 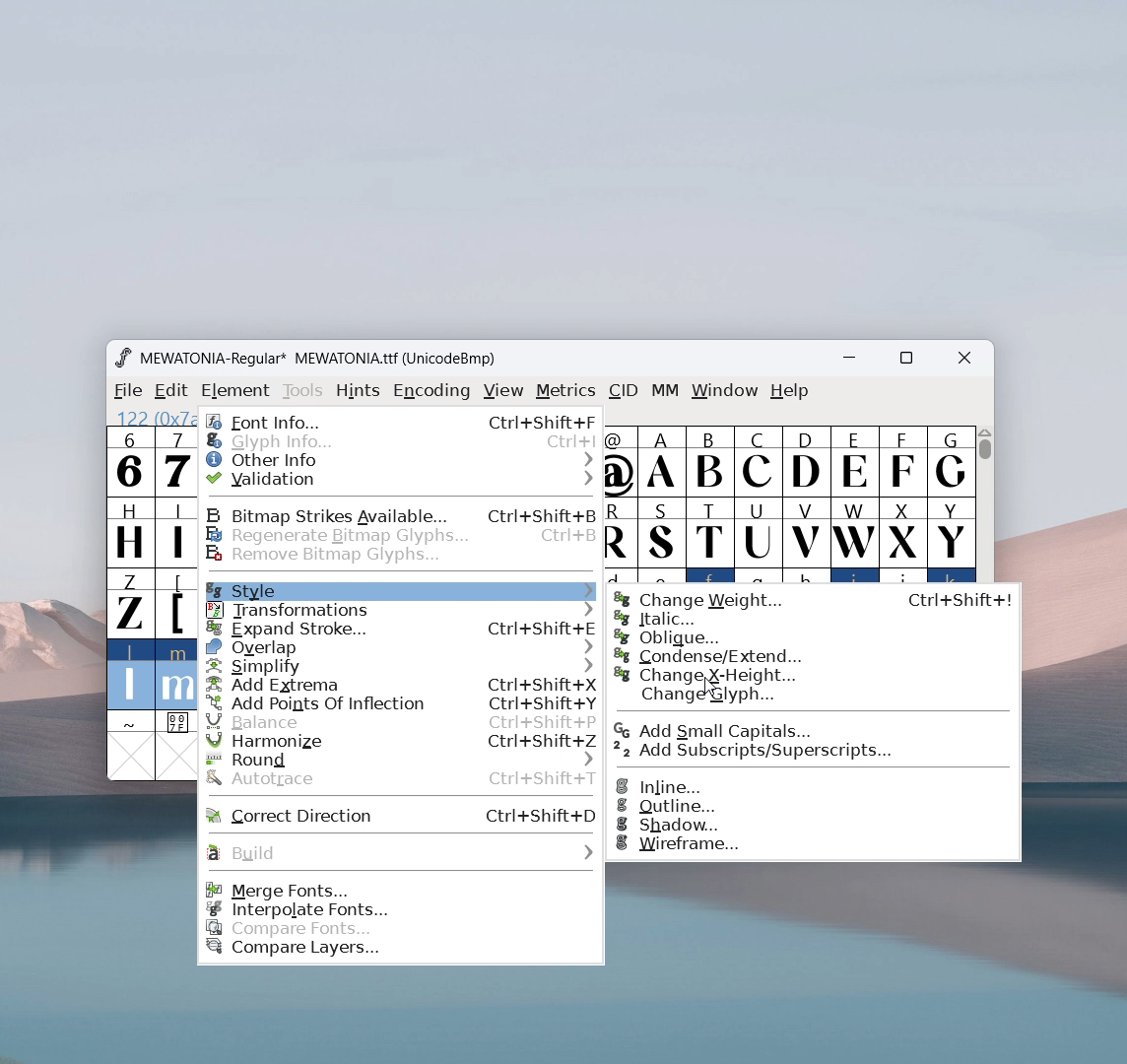 I want to click on ~, so click(x=131, y=723).